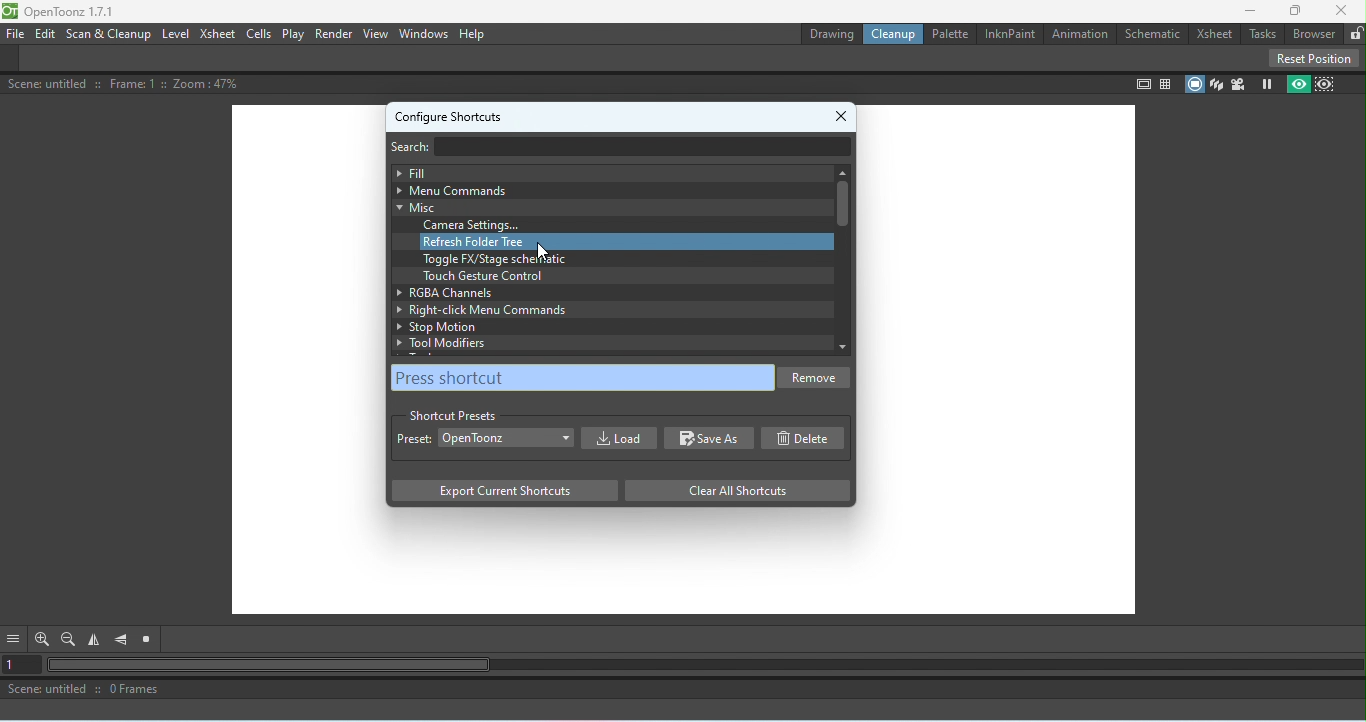 Image resolution: width=1366 pixels, height=722 pixels. I want to click on File, so click(16, 33).